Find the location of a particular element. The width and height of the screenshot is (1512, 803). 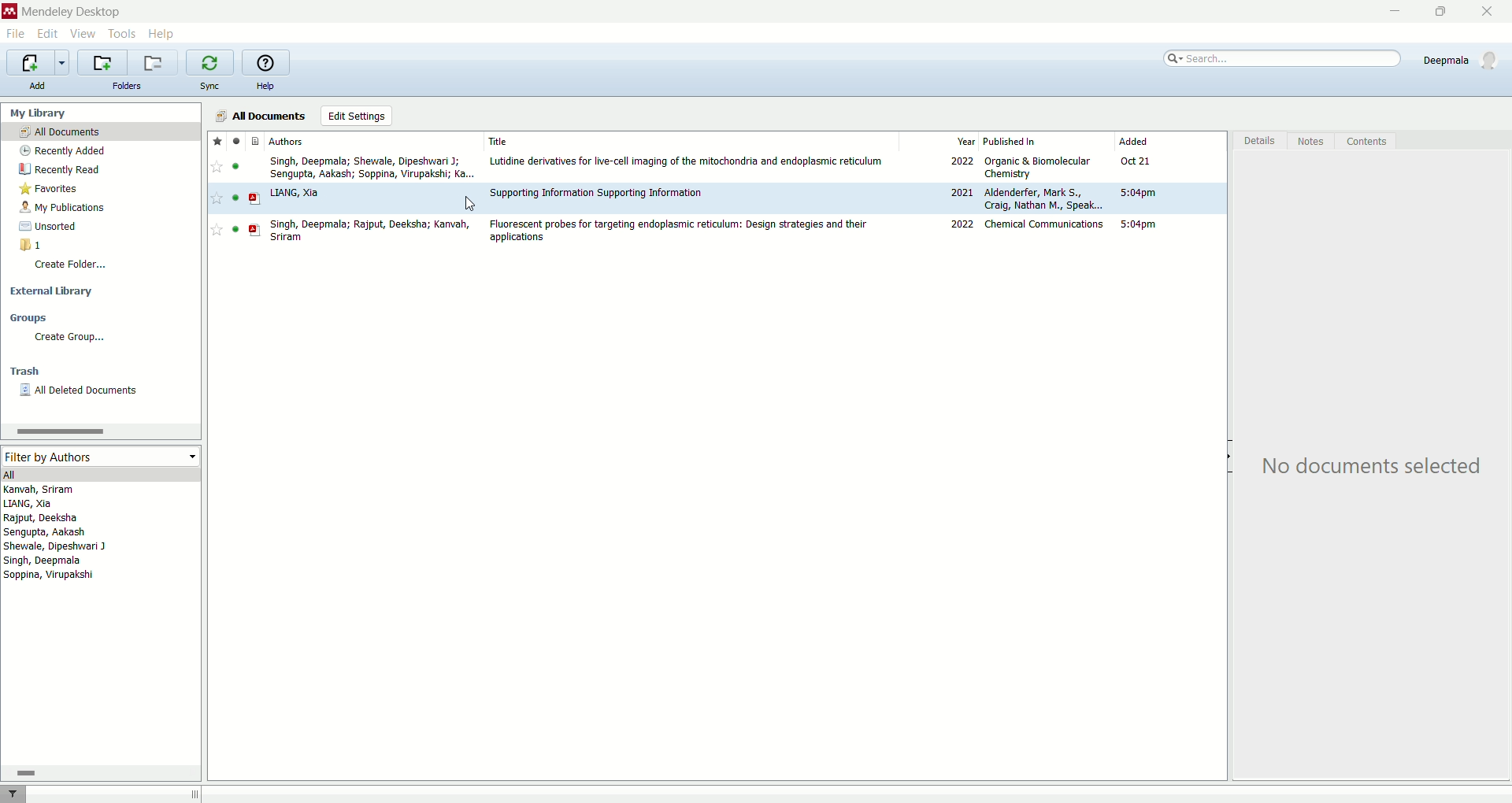

Organic & Biomolecular Chemistry is located at coordinates (1038, 168).